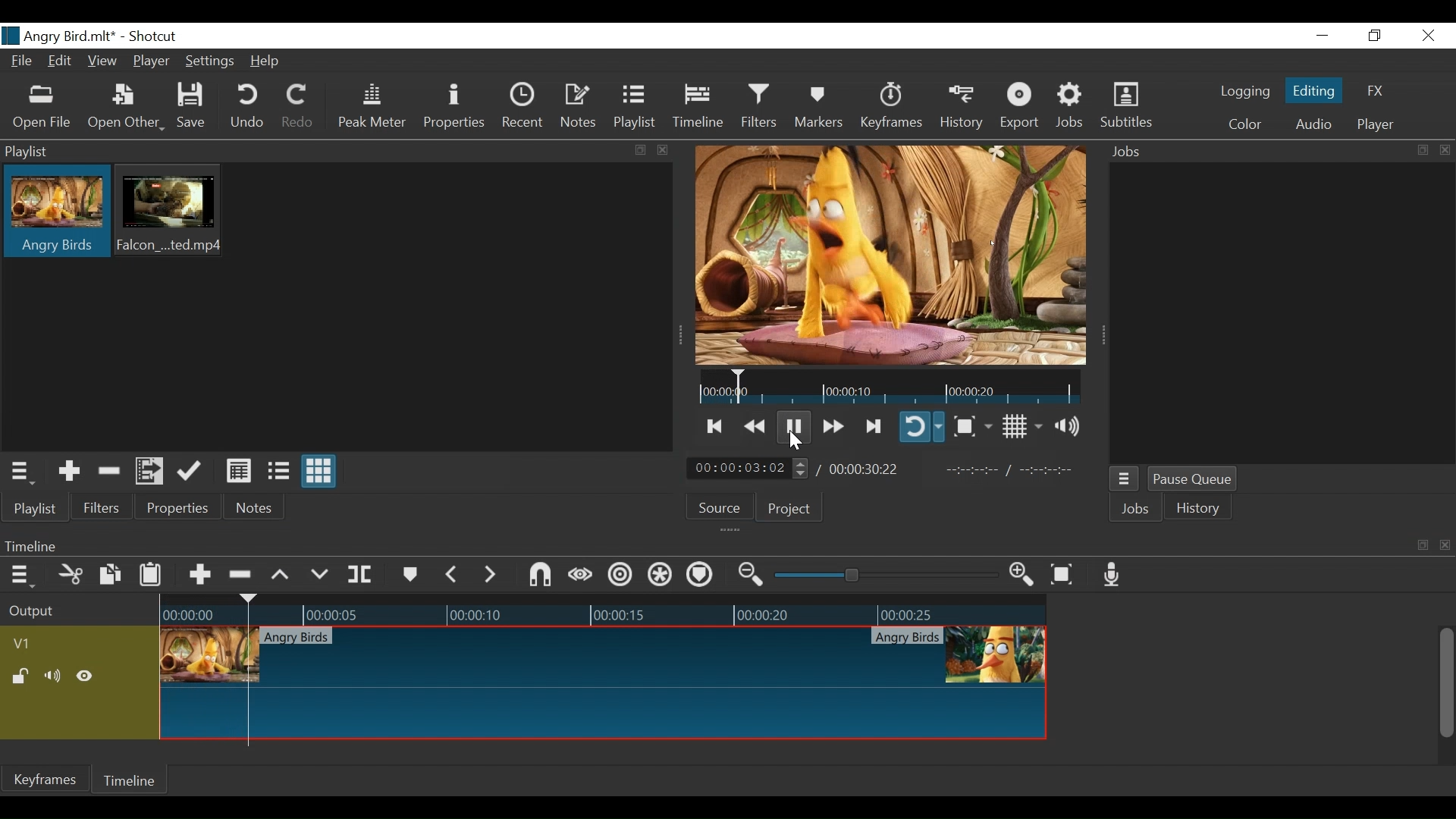 This screenshot has height=819, width=1456. Describe the element at coordinates (320, 472) in the screenshot. I see `View as icons` at that location.